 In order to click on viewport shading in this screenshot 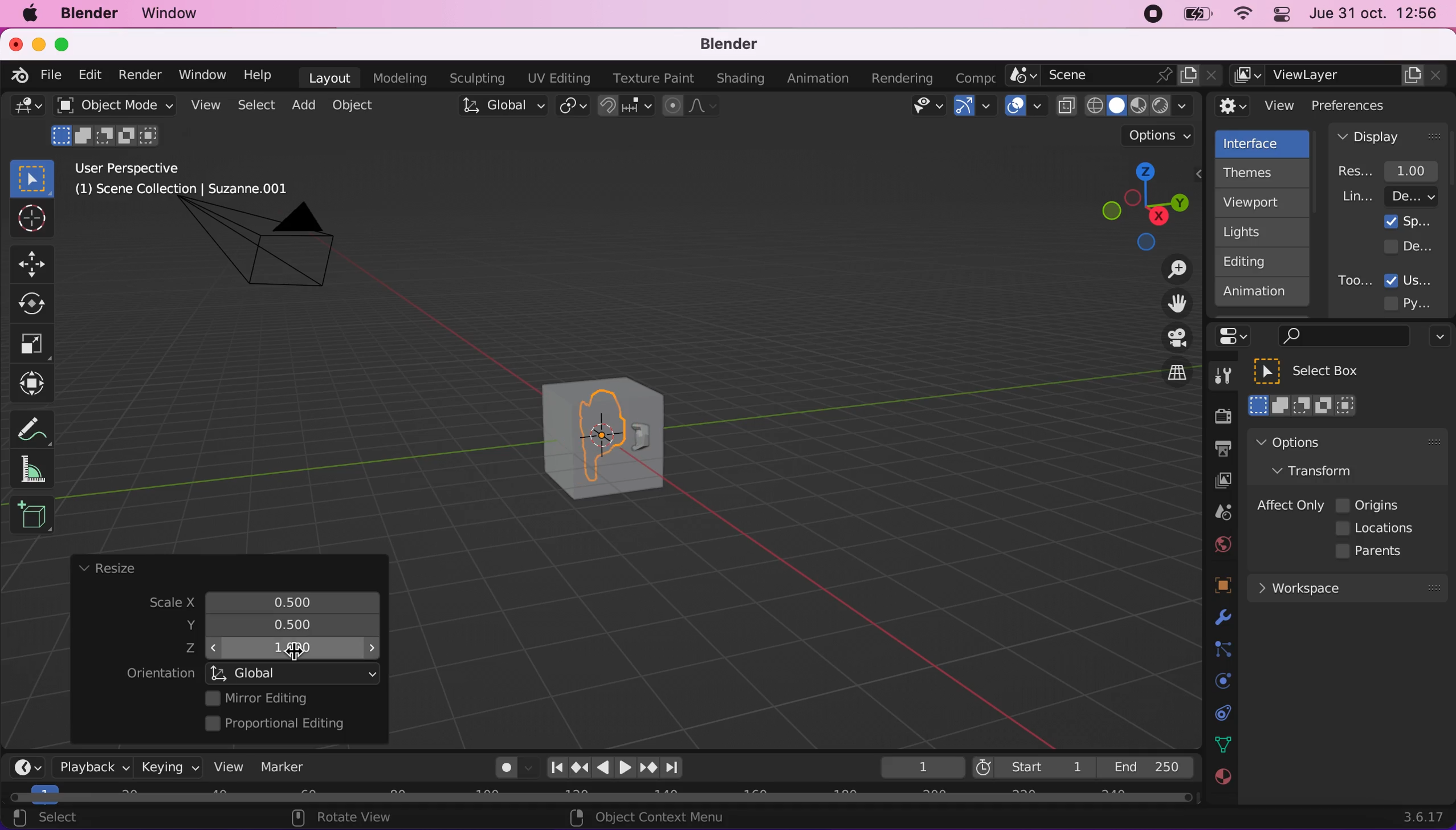, I will do `click(1128, 105)`.